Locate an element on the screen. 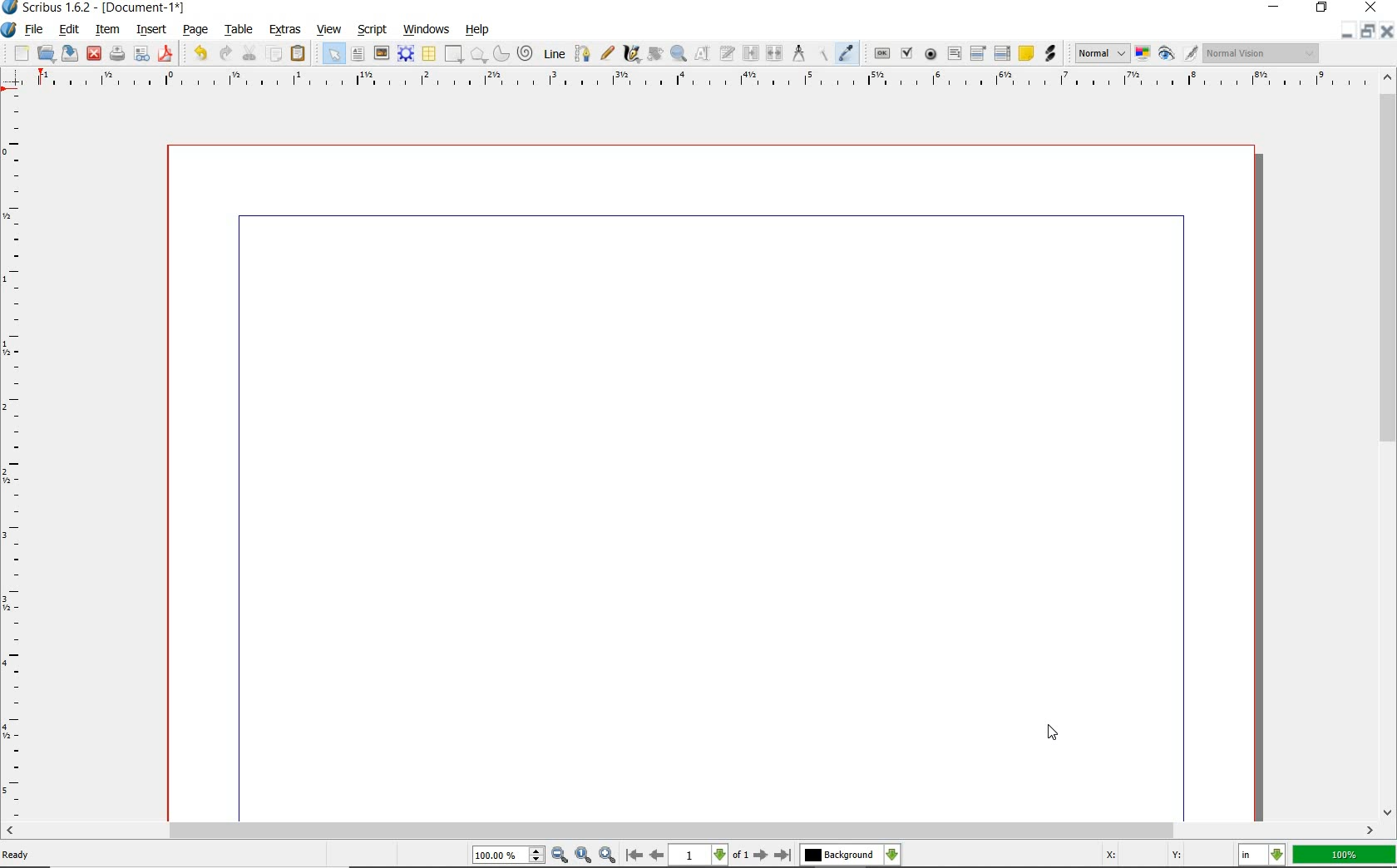 Image resolution: width=1397 pixels, height=868 pixels. pdf push button is located at coordinates (882, 54).